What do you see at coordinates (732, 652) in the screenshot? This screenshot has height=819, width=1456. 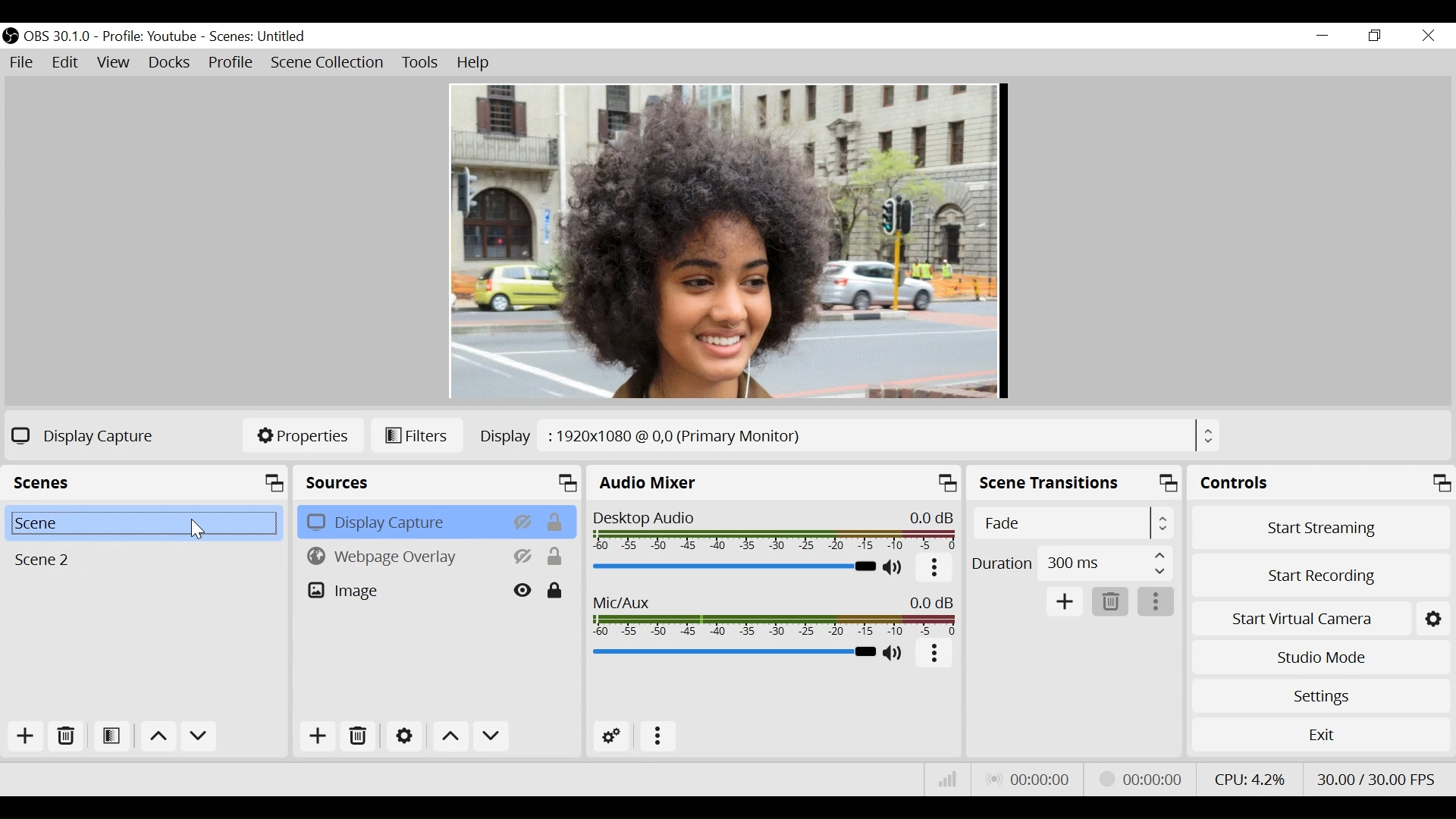 I see `Mic/Aux` at bounding box center [732, 652].